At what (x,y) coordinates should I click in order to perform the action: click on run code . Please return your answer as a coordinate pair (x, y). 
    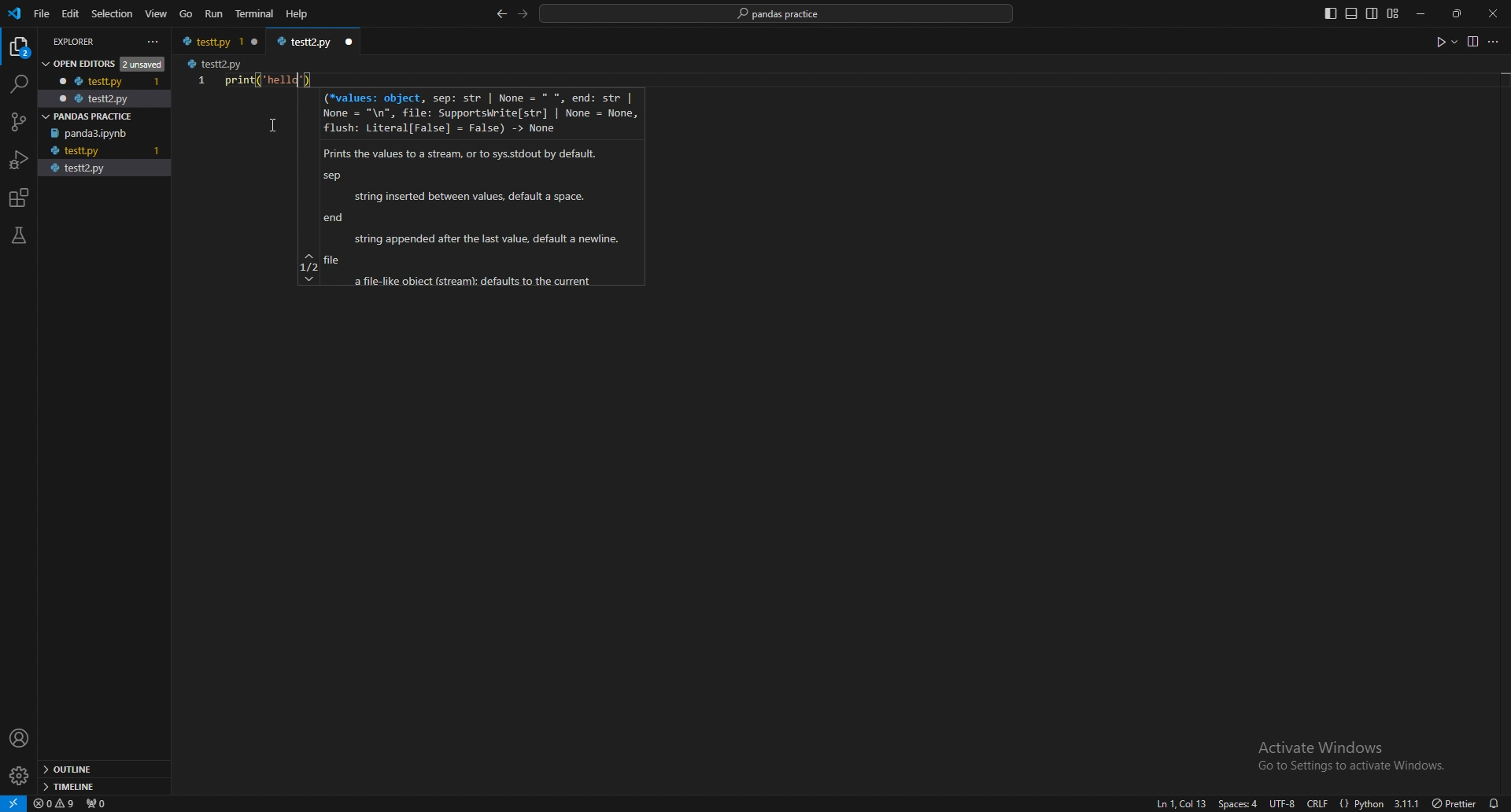
    Looking at the image, I should click on (1445, 42).